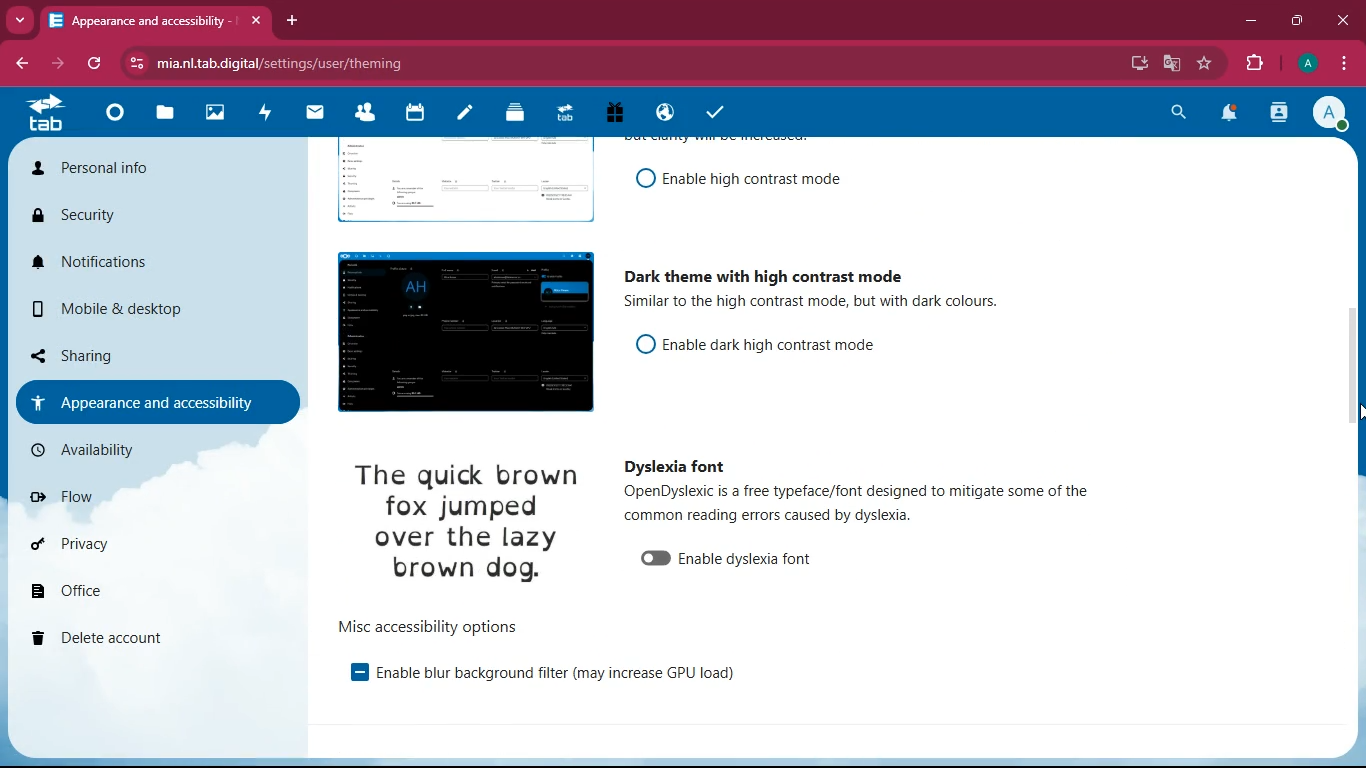 The height and width of the screenshot is (768, 1366). What do you see at coordinates (133, 63) in the screenshot?
I see `view site information` at bounding box center [133, 63].